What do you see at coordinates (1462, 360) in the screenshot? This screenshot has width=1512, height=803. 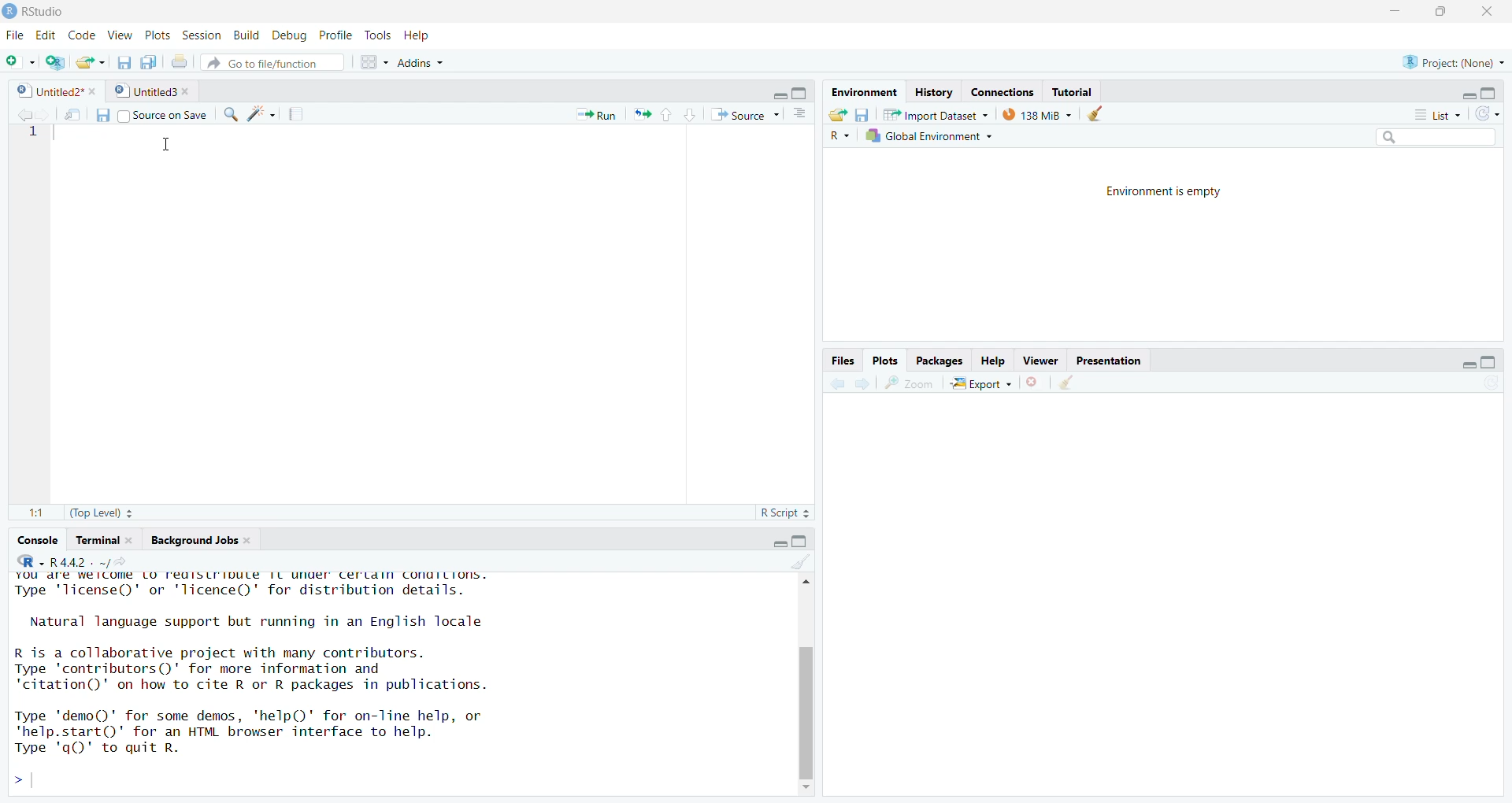 I see `maximize/minimize` at bounding box center [1462, 360].